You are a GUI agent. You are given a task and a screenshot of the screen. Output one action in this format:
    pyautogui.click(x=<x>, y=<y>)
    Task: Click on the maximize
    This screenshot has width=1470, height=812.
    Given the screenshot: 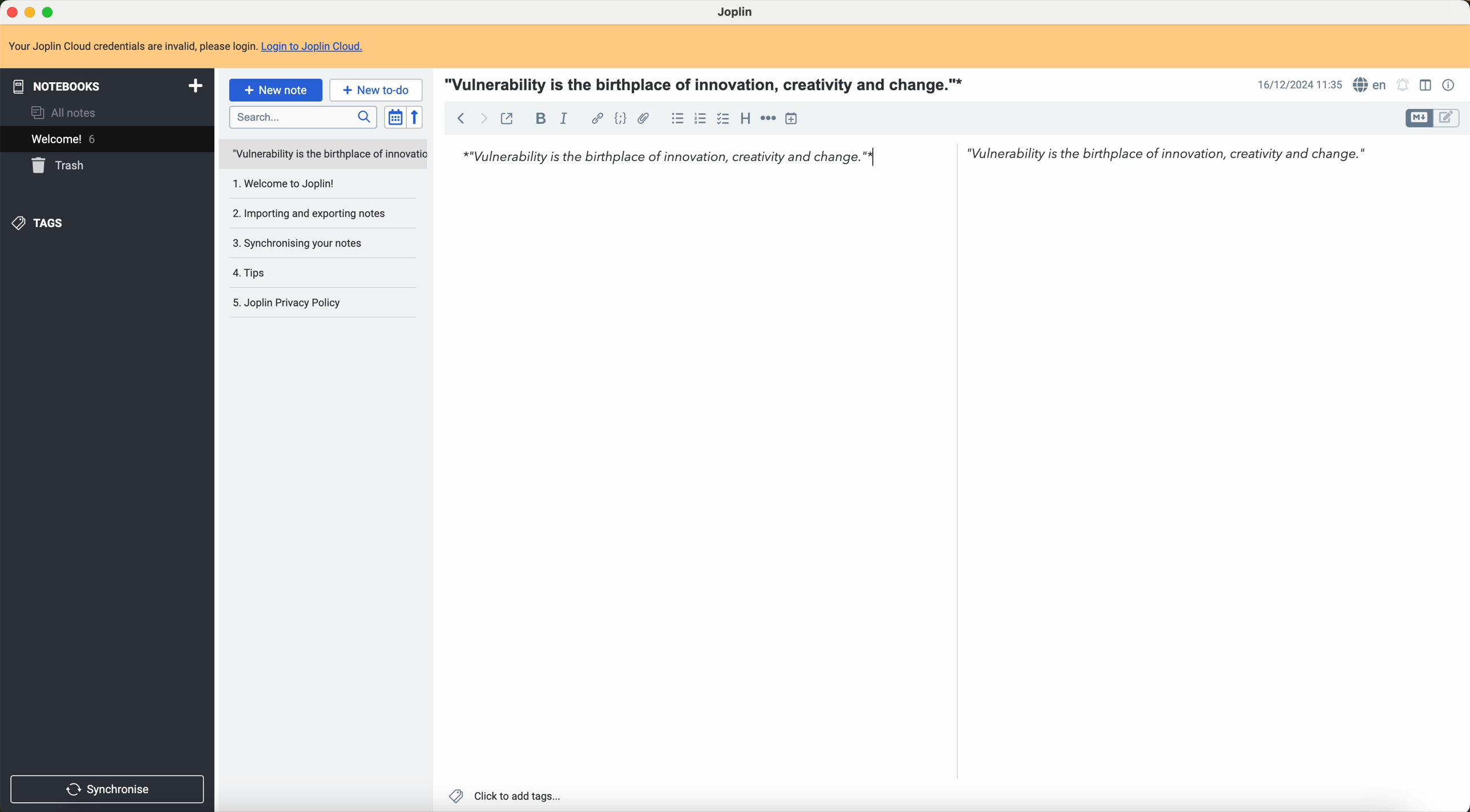 What is the action you would take?
    pyautogui.click(x=50, y=10)
    